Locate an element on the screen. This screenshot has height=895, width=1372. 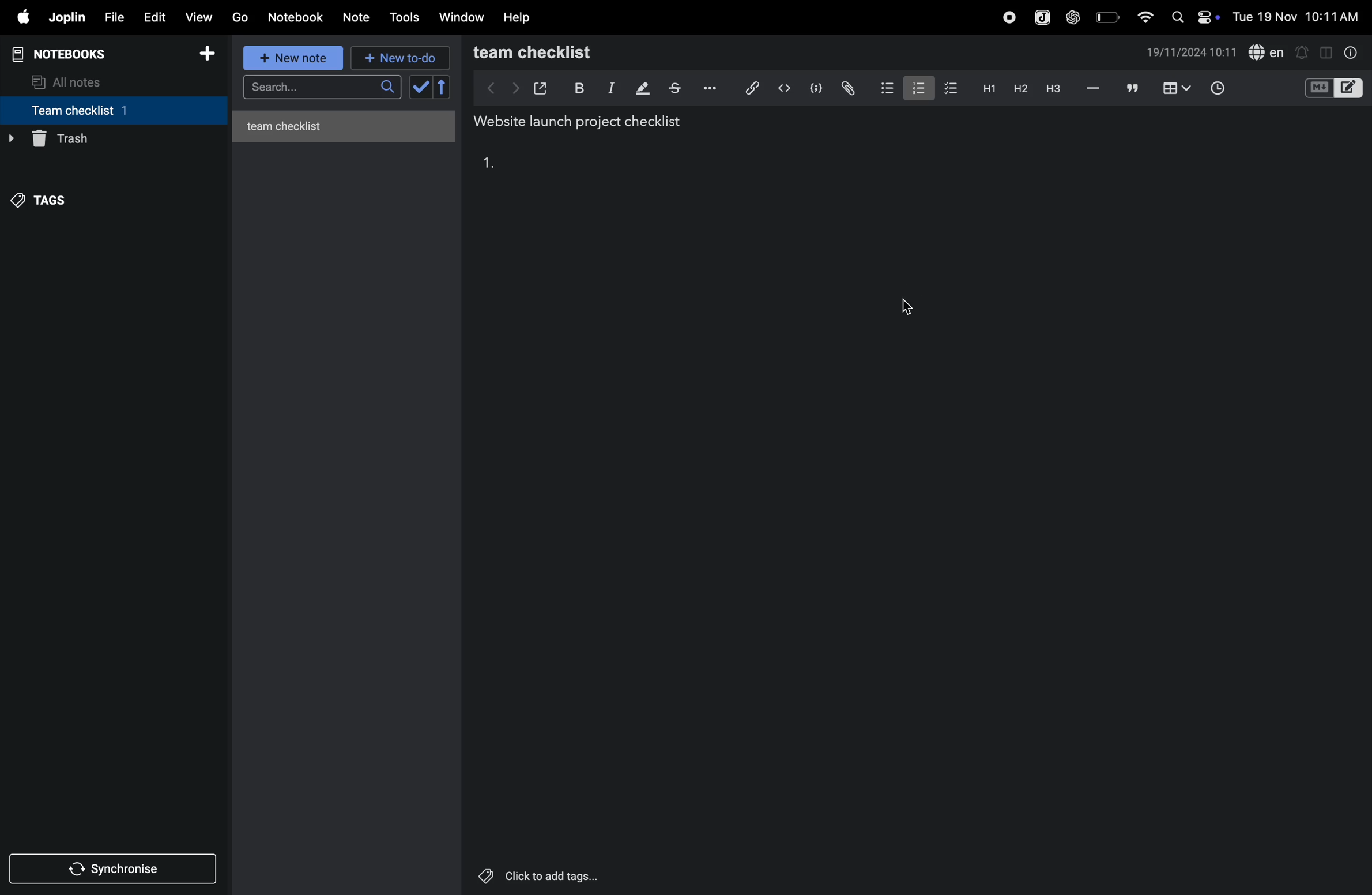
go is located at coordinates (240, 18).